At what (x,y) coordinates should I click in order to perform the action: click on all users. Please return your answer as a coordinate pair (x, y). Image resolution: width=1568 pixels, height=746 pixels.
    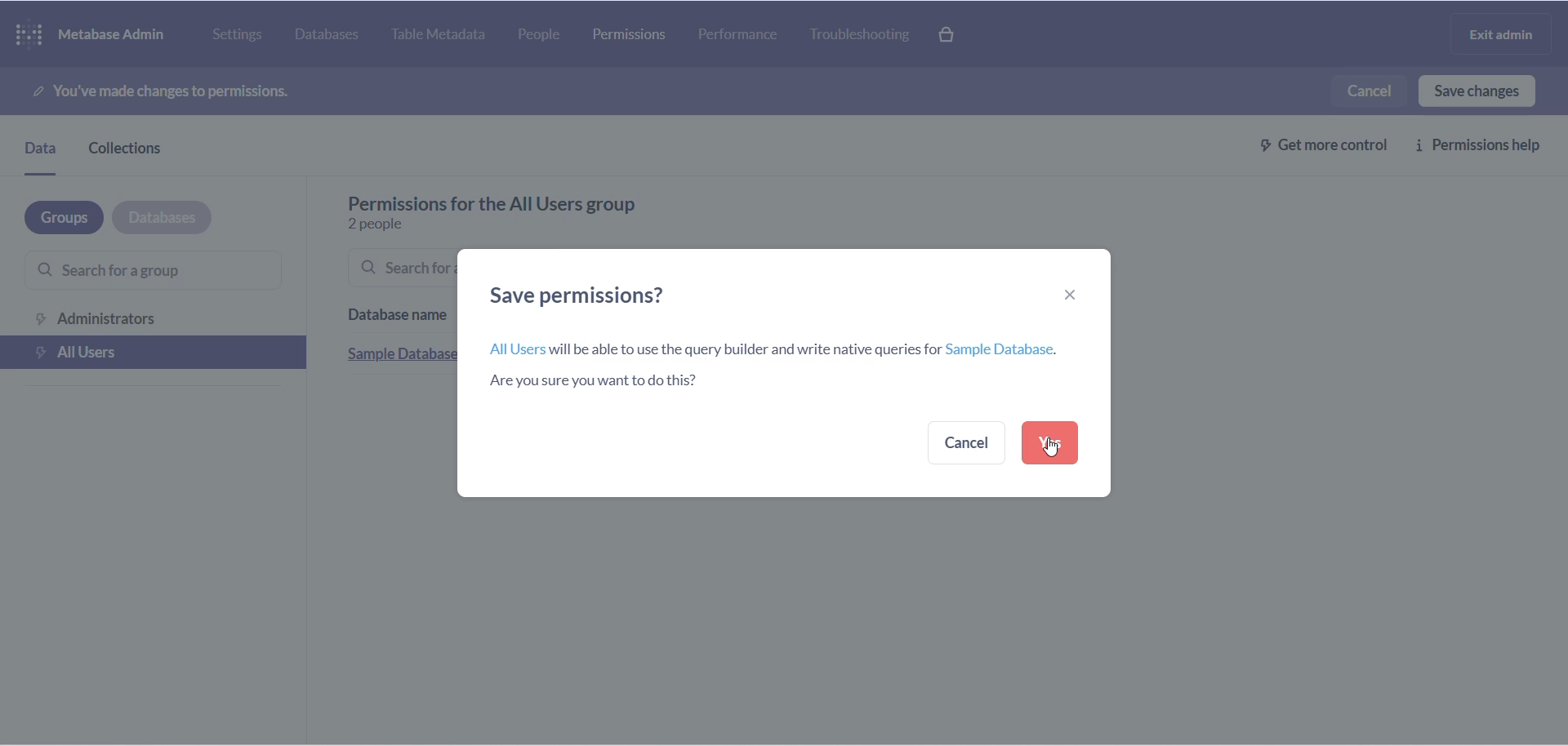
    Looking at the image, I should click on (155, 353).